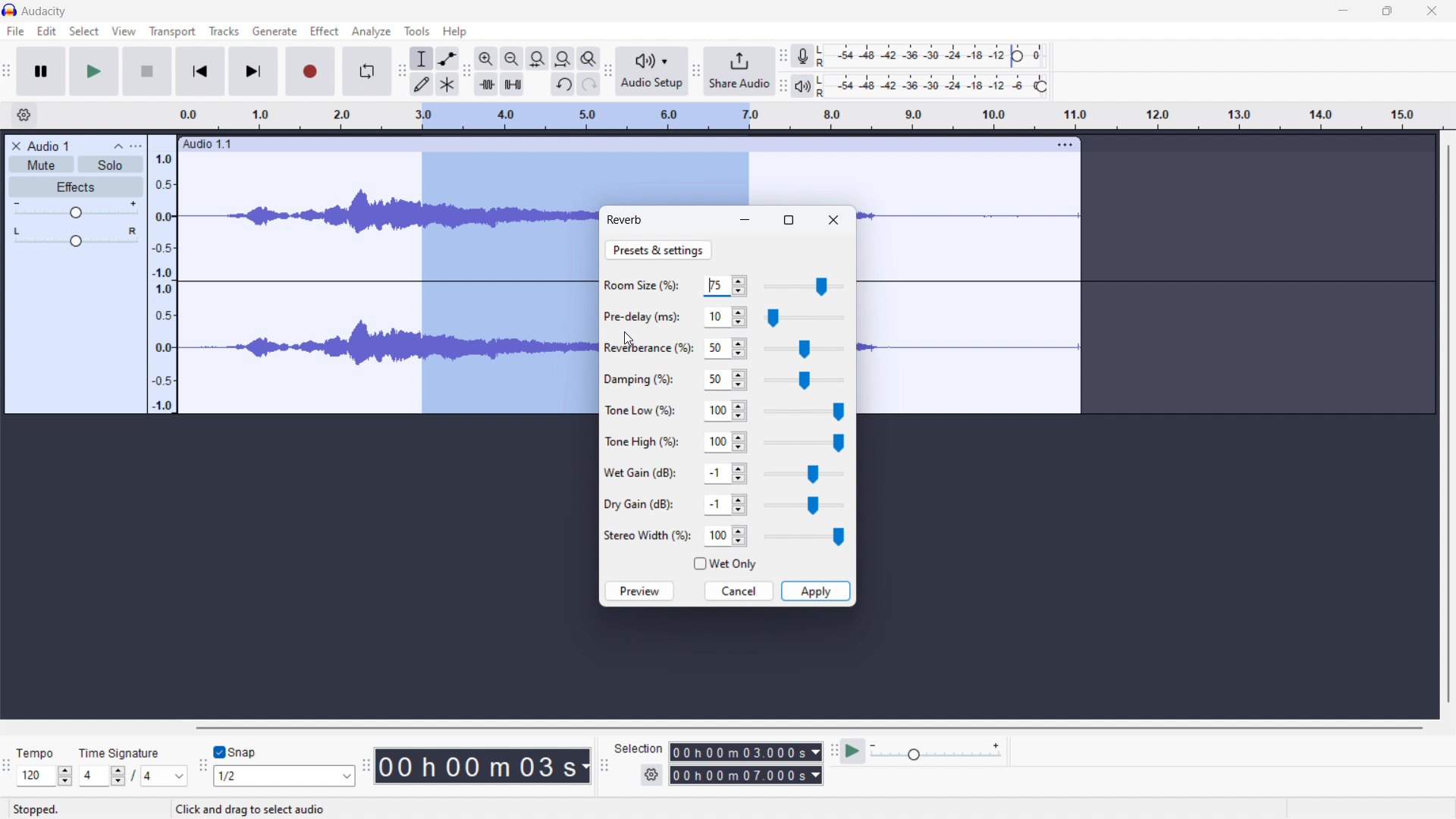  What do you see at coordinates (95, 71) in the screenshot?
I see `play` at bounding box center [95, 71].